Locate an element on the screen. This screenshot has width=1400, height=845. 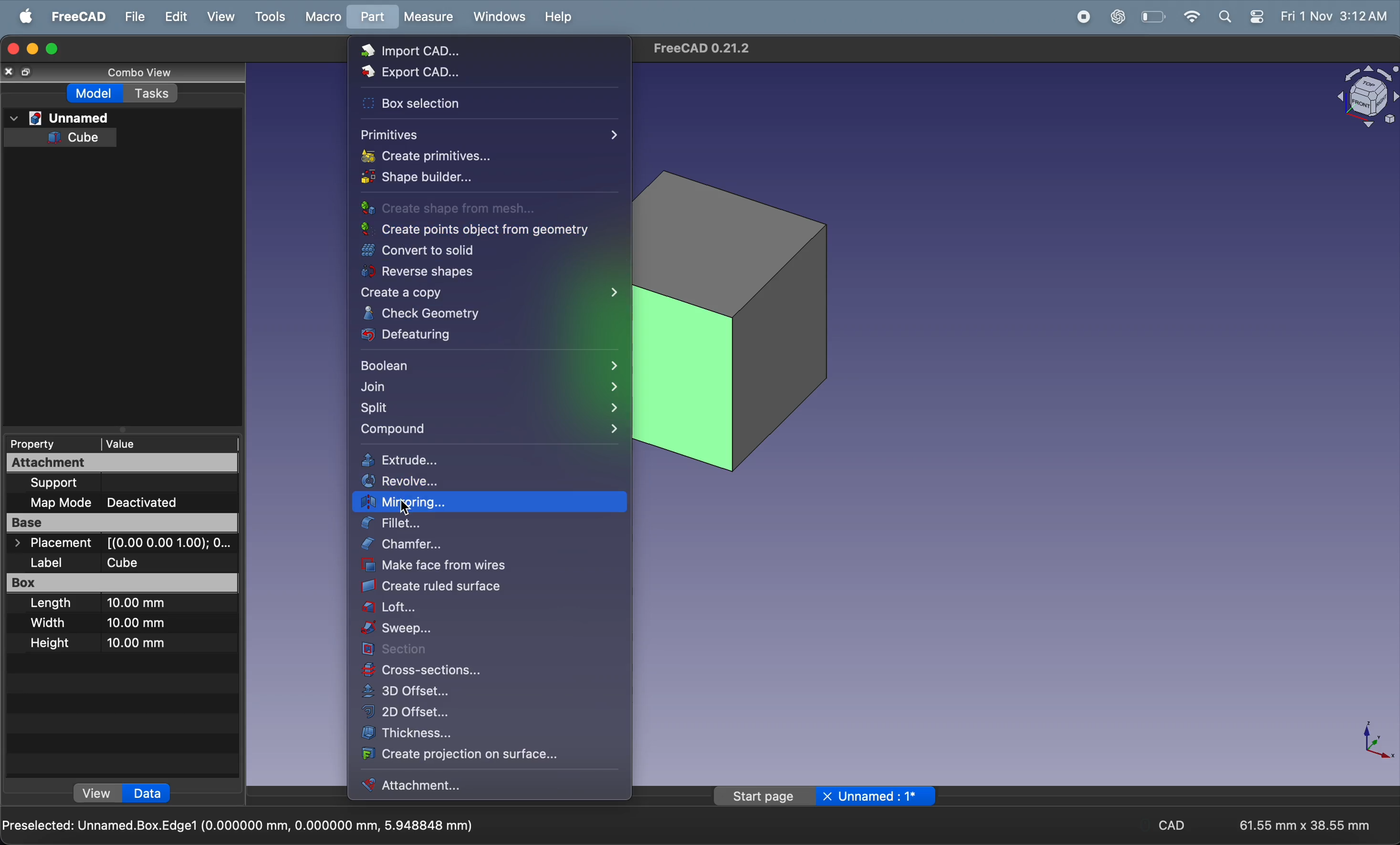
Map Mode is located at coordinates (53, 502).